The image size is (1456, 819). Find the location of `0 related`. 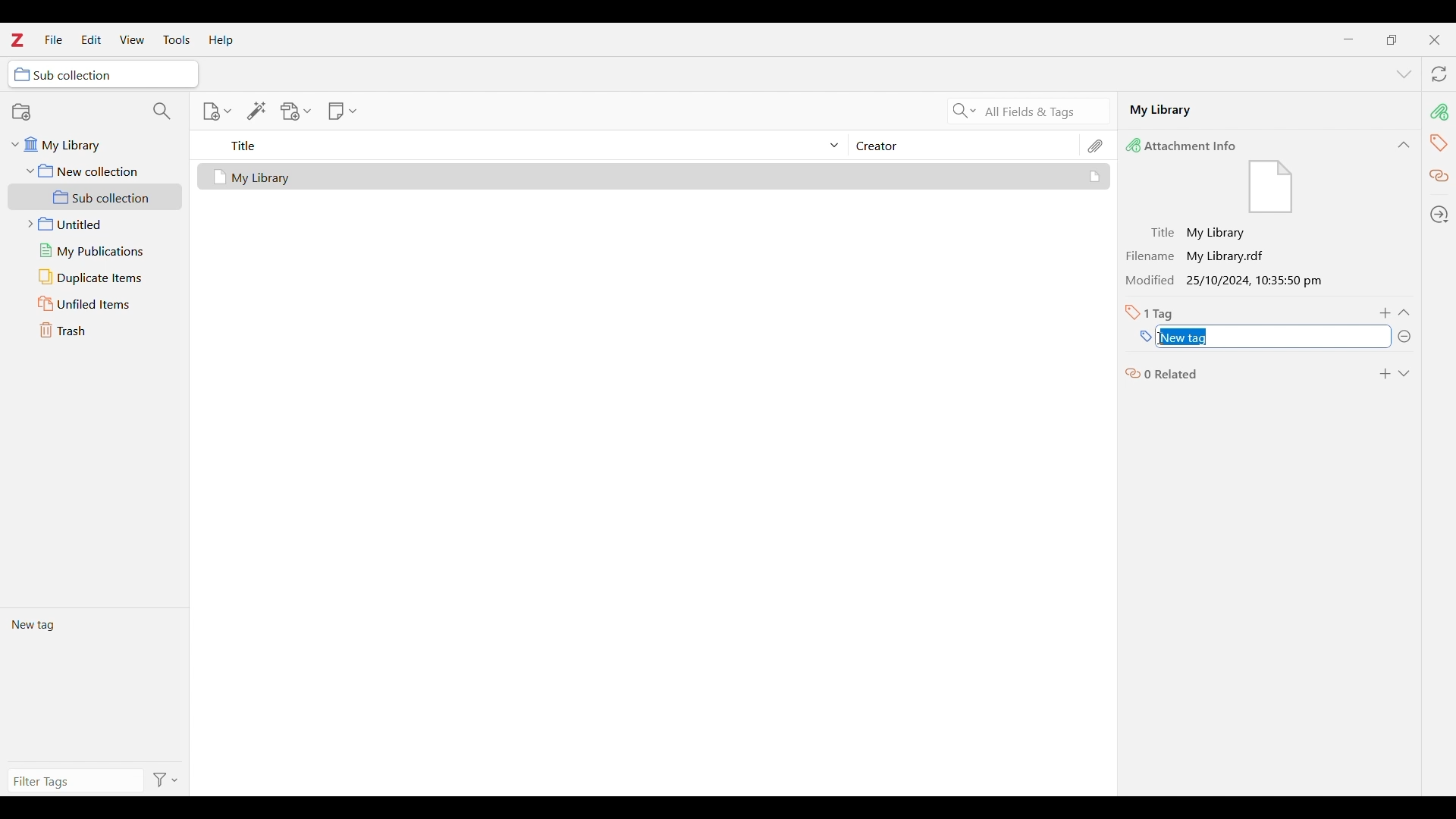

0 related is located at coordinates (1163, 372).